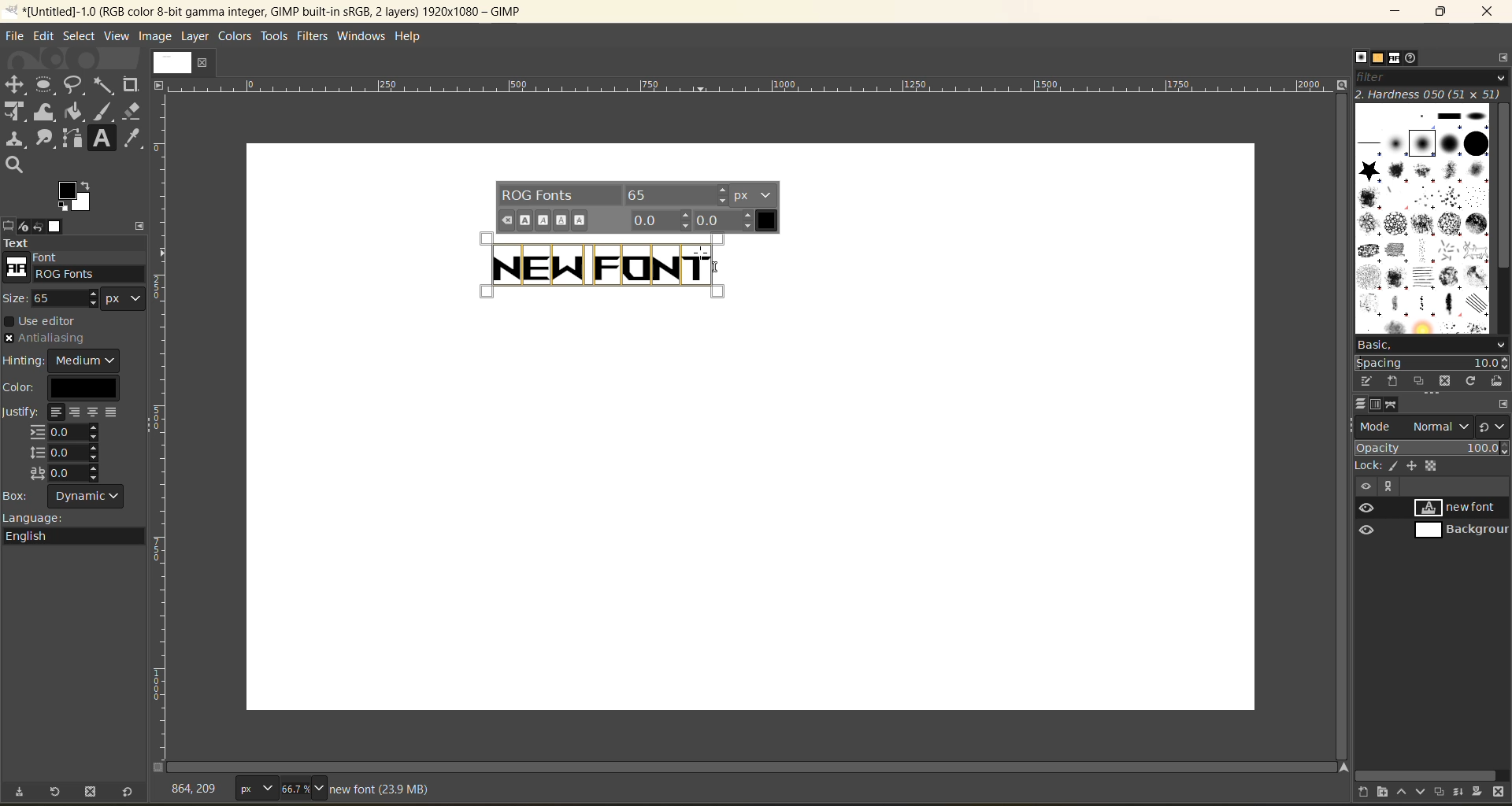  I want to click on horizontal scroll bar, so click(759, 767).